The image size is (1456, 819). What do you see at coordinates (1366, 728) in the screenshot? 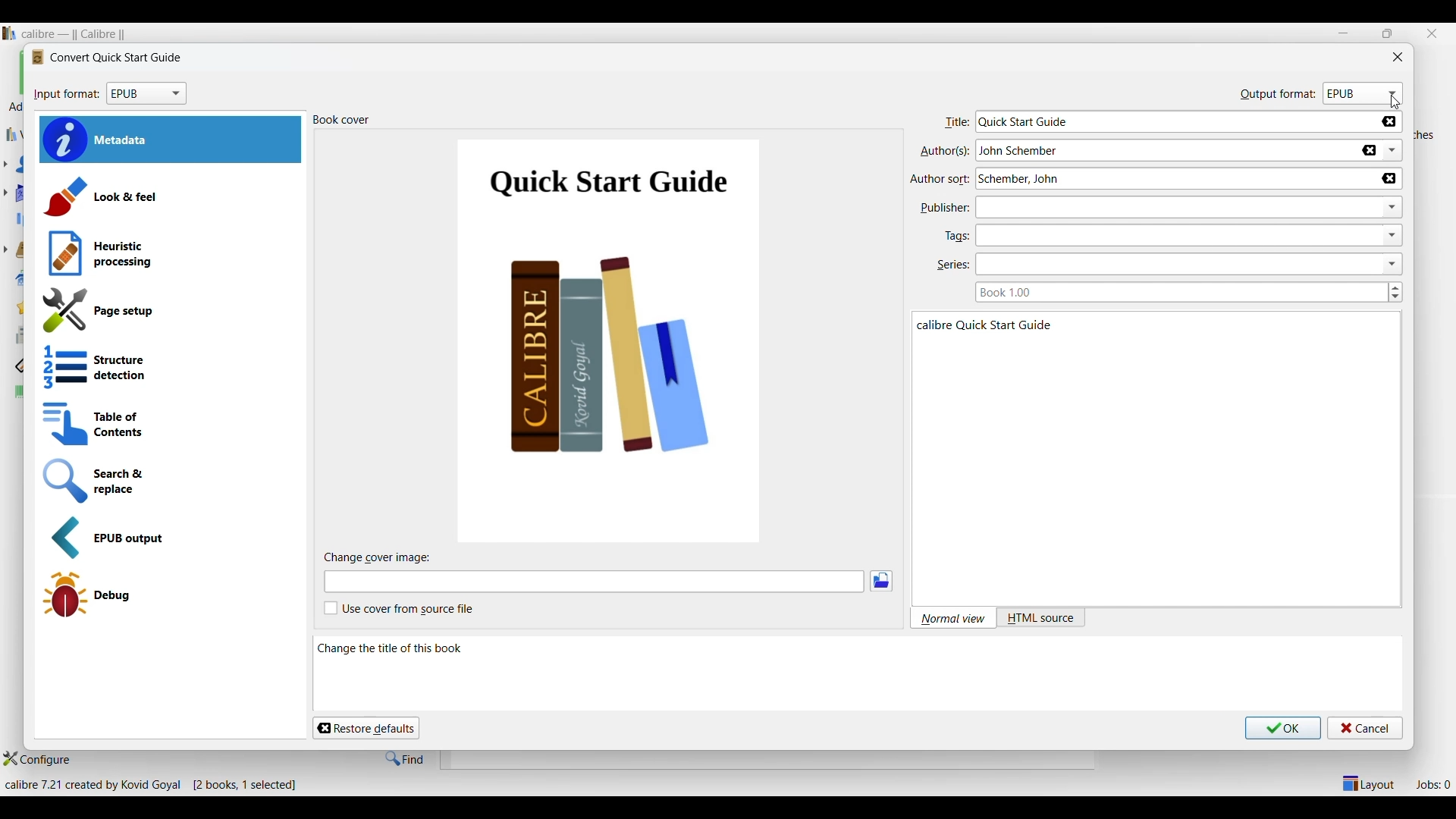
I see `Cancel` at bounding box center [1366, 728].